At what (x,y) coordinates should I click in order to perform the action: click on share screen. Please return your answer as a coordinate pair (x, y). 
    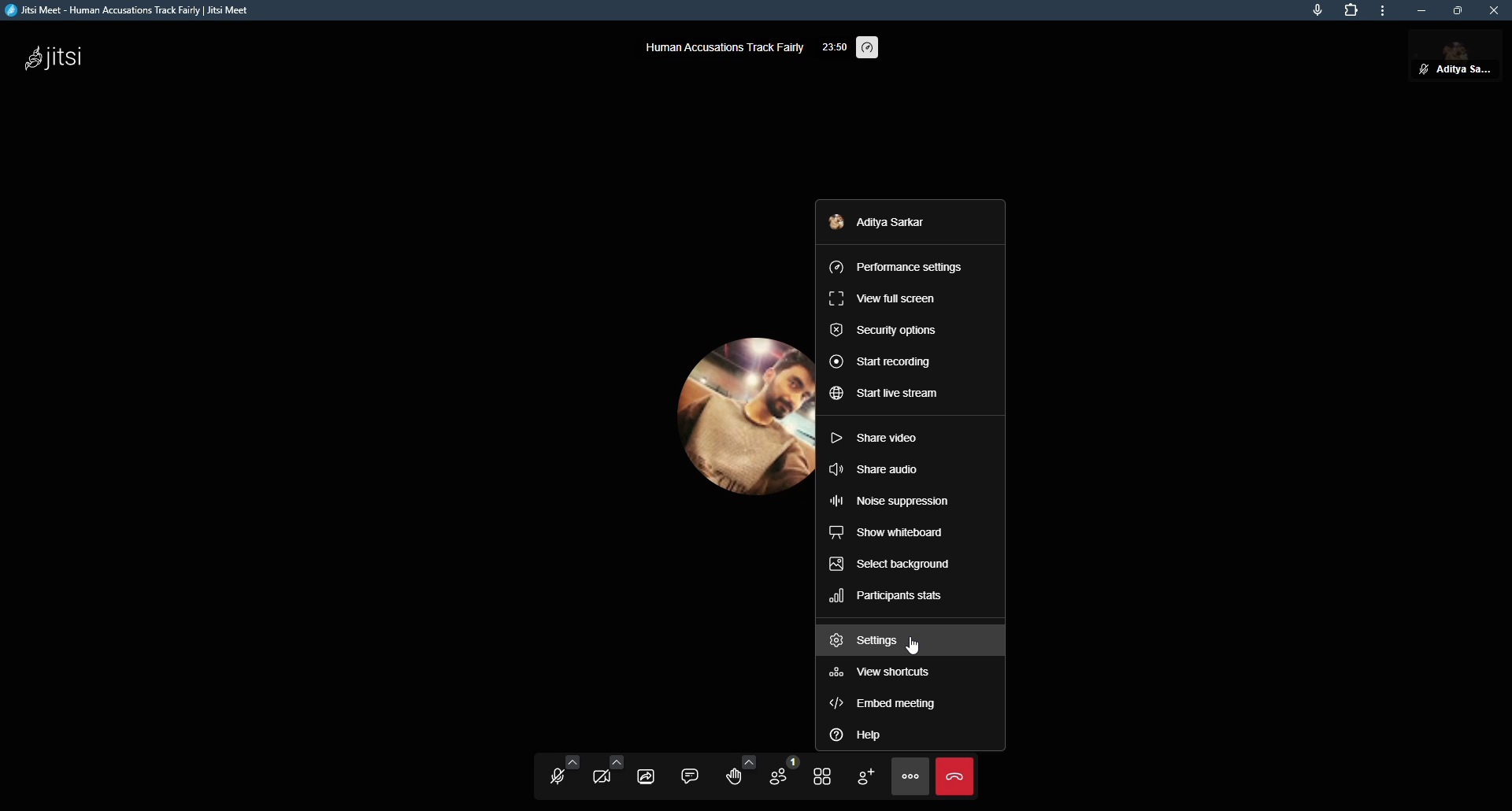
    Looking at the image, I should click on (648, 774).